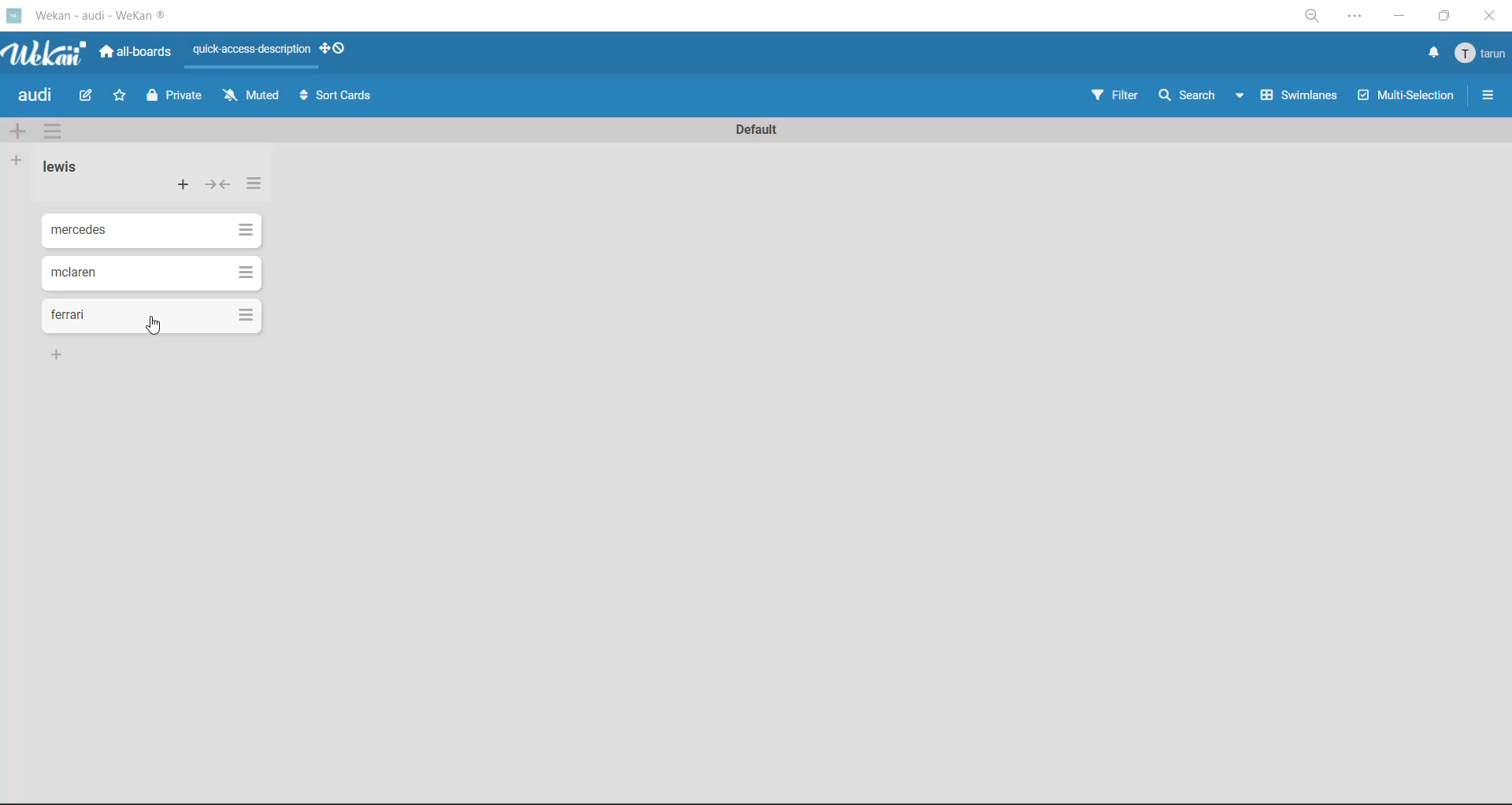  I want to click on list actions, so click(258, 187).